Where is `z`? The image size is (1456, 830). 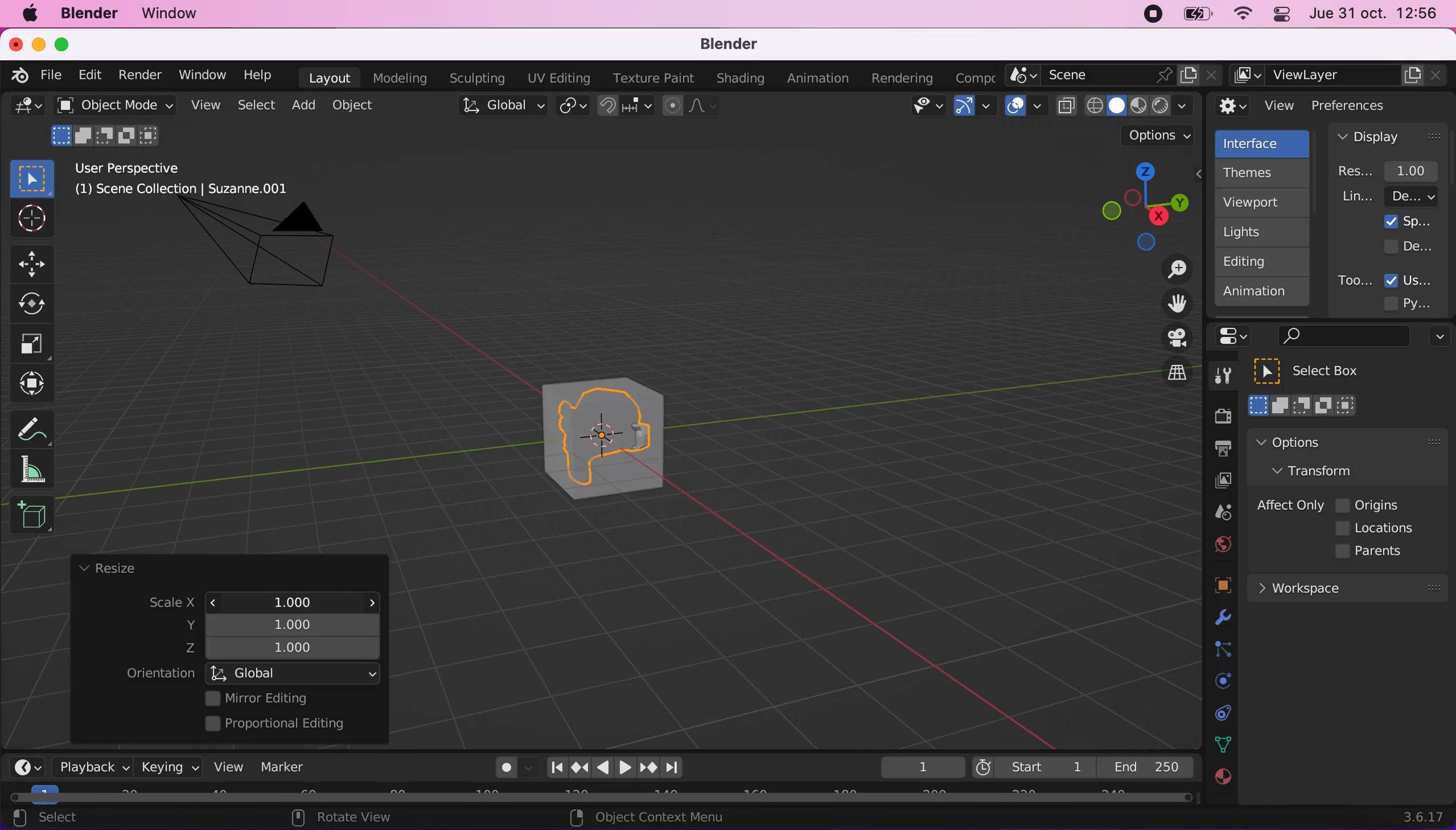 z is located at coordinates (287, 649).